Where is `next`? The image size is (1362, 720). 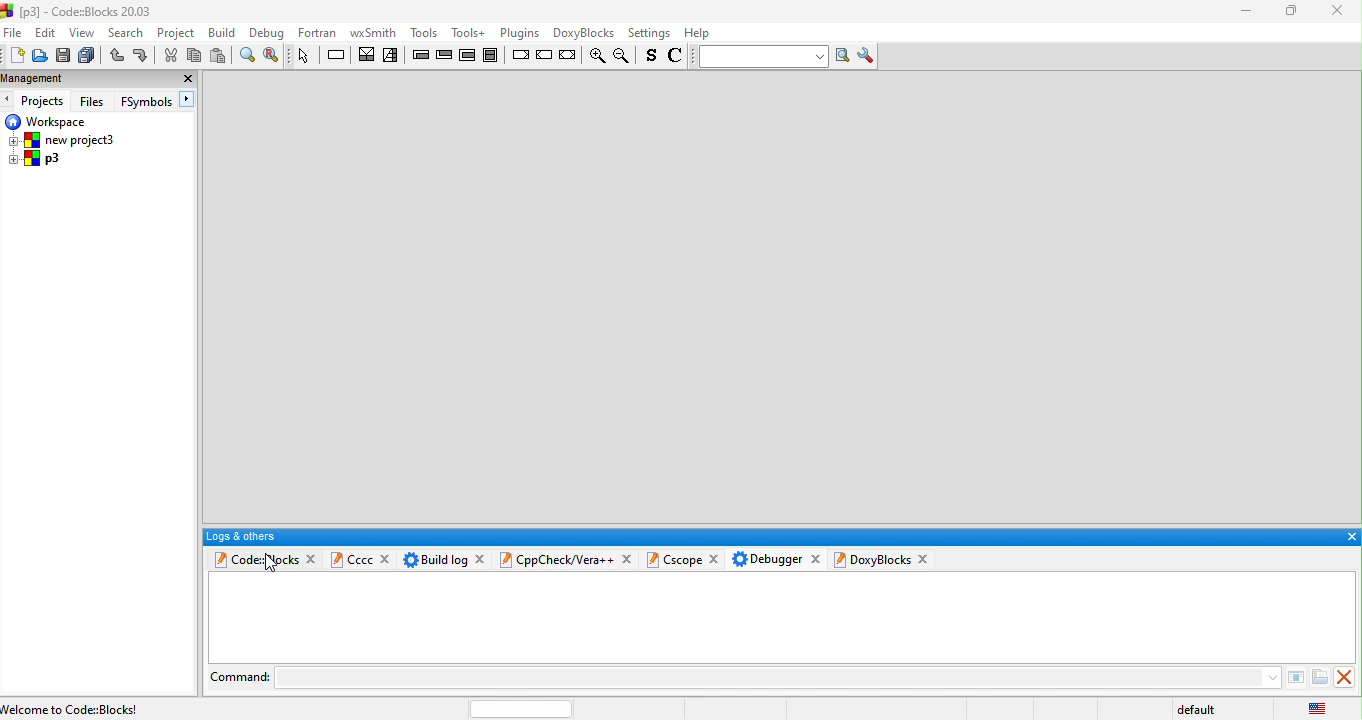
next is located at coordinates (189, 100).